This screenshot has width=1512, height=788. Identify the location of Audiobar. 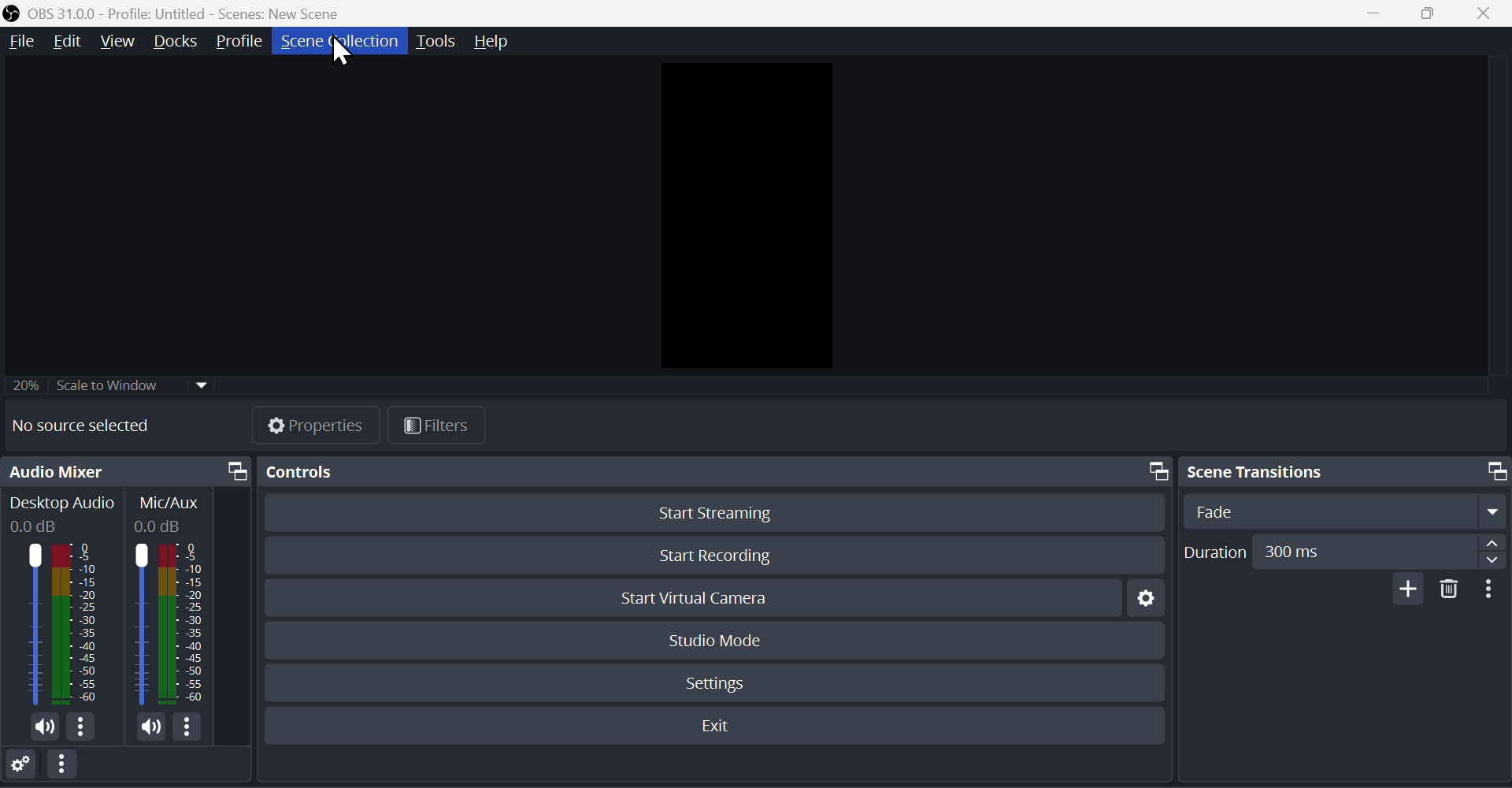
(172, 621).